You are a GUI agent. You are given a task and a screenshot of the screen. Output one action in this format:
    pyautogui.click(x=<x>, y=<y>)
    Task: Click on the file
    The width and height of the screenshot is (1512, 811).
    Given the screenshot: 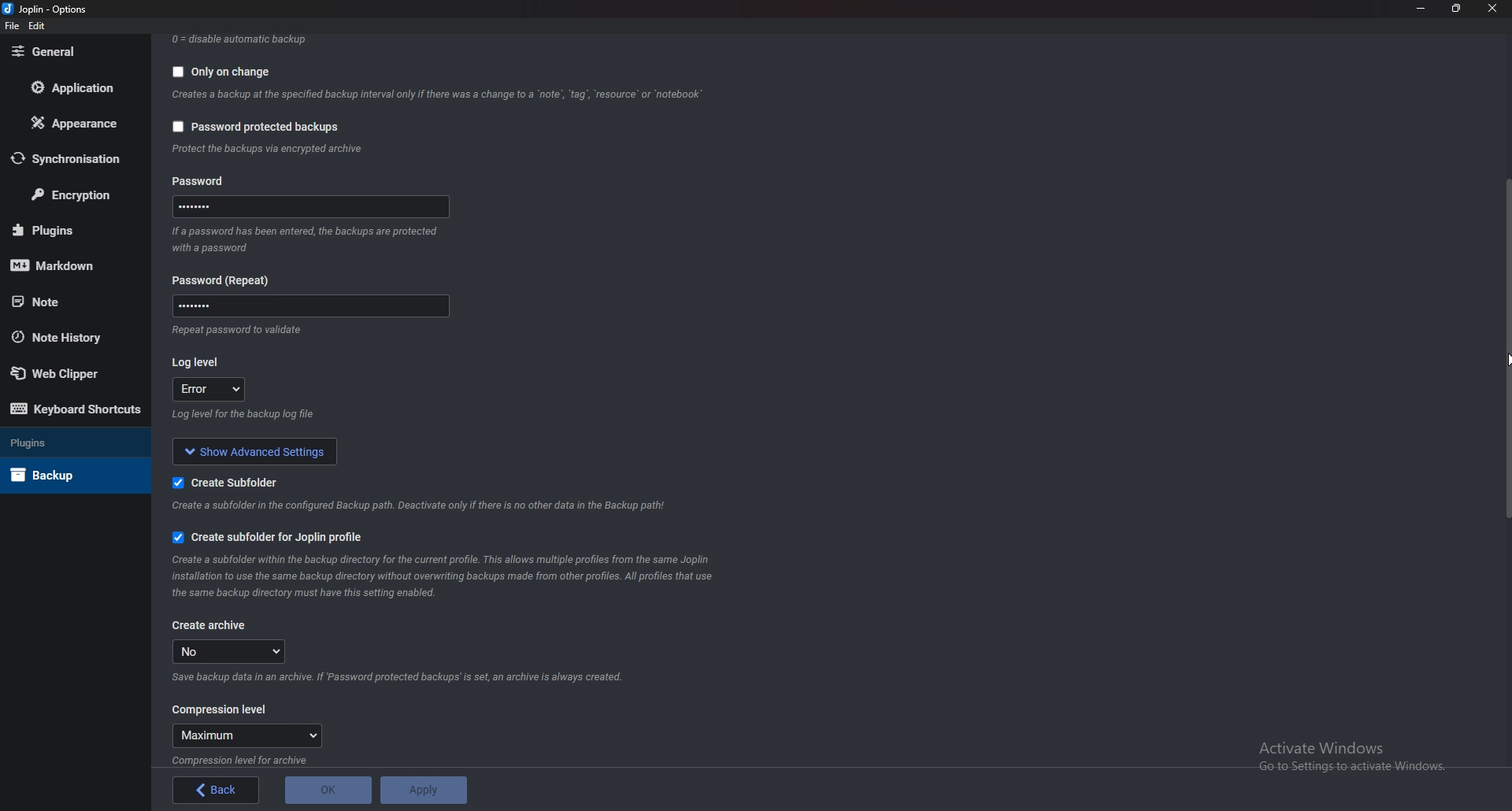 What is the action you would take?
    pyautogui.click(x=13, y=26)
    